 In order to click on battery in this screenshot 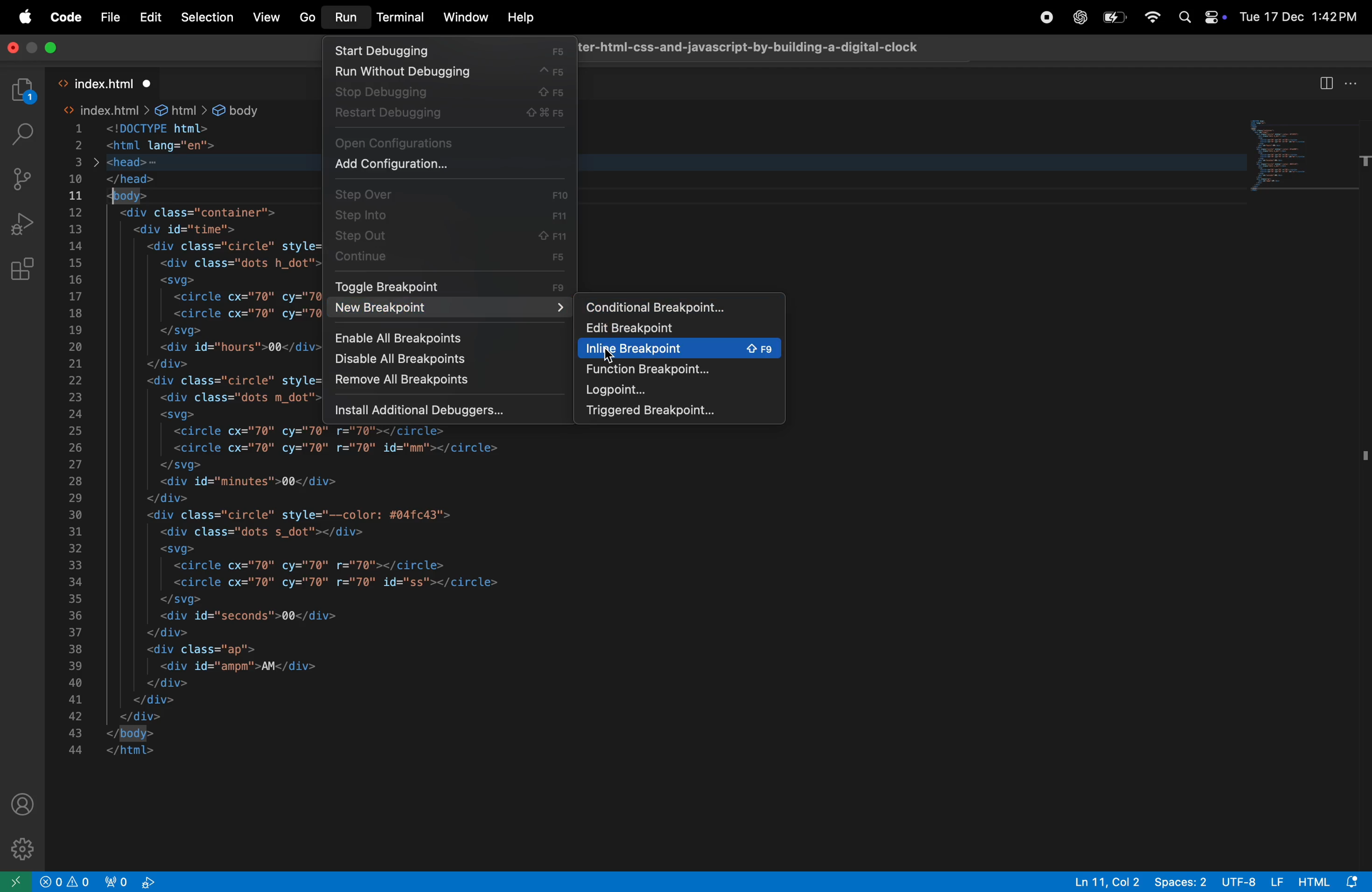, I will do `click(1114, 20)`.